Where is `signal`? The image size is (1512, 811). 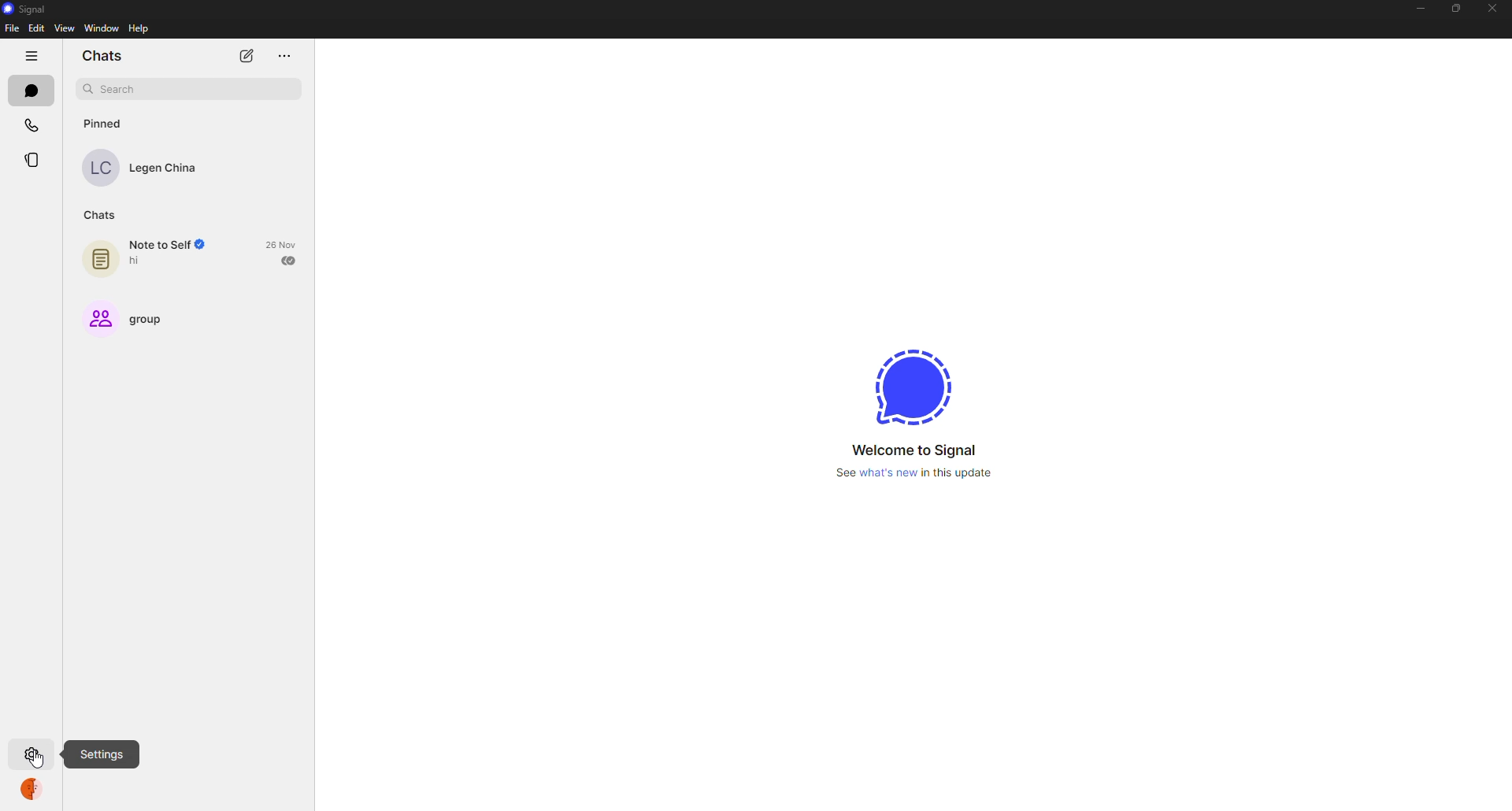
signal is located at coordinates (912, 383).